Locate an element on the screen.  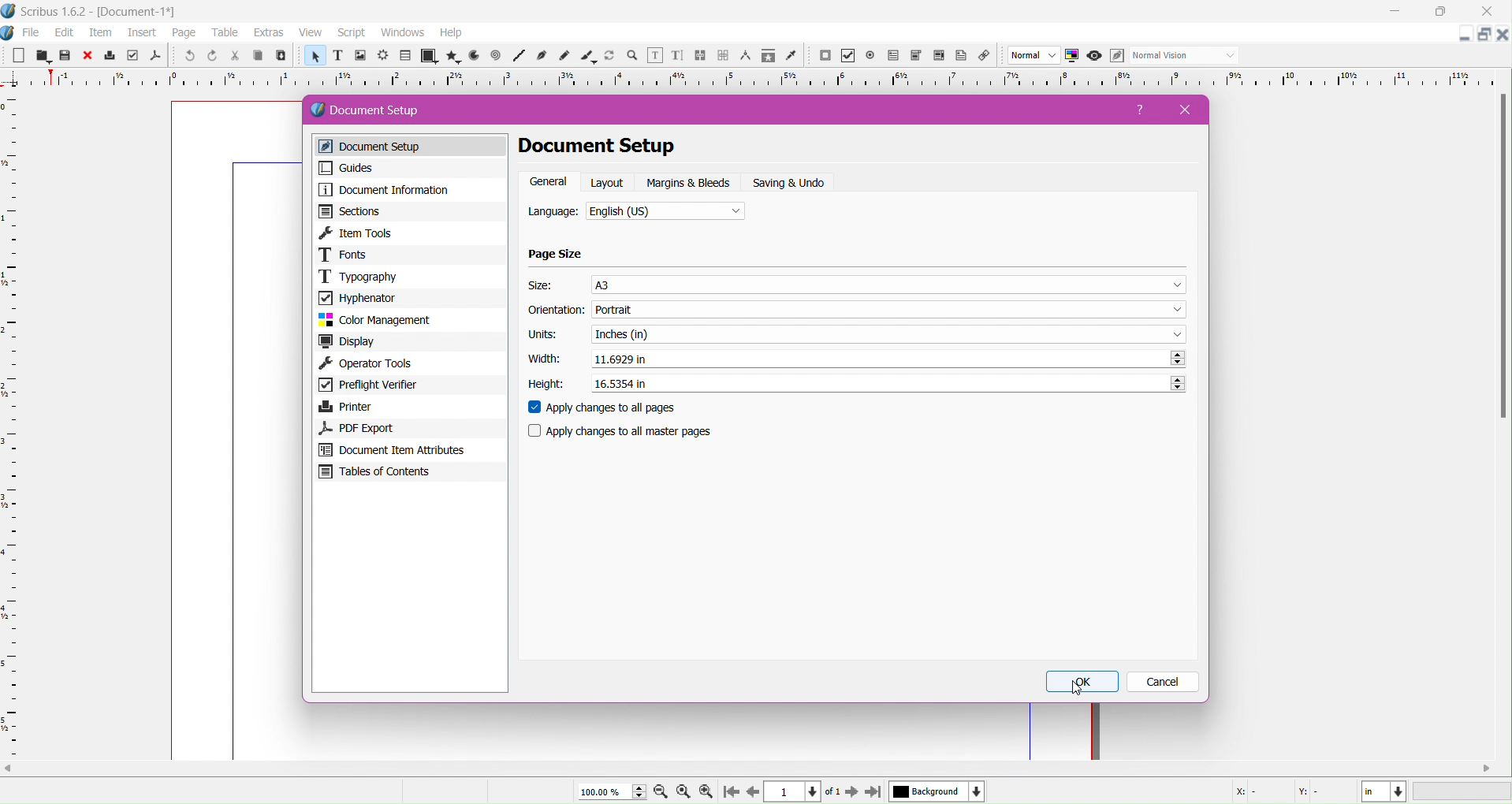
table is located at coordinates (405, 56).